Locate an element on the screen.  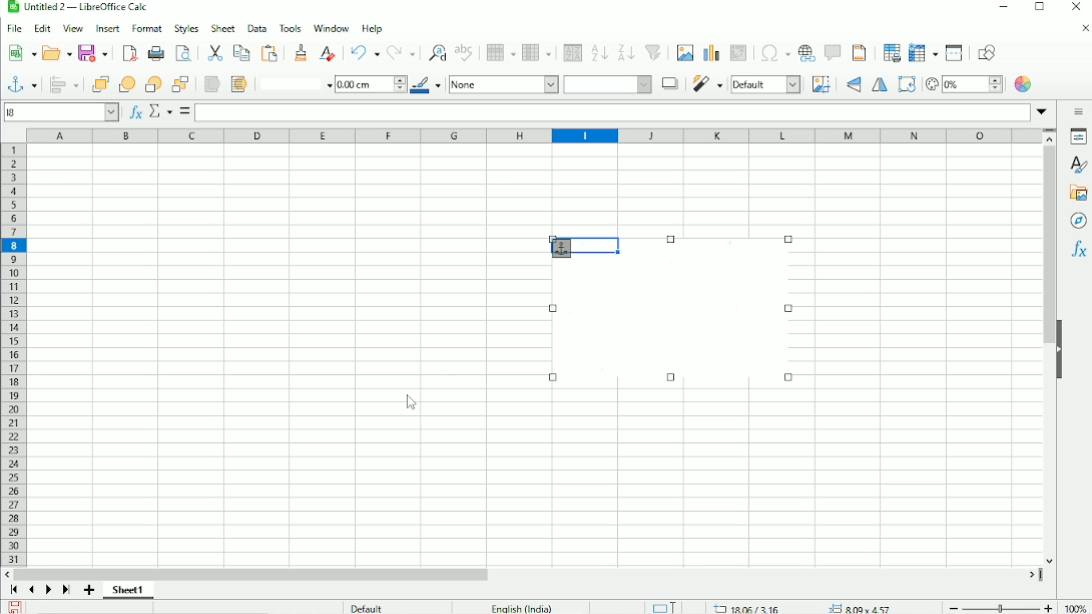
Clone formatting is located at coordinates (304, 51).